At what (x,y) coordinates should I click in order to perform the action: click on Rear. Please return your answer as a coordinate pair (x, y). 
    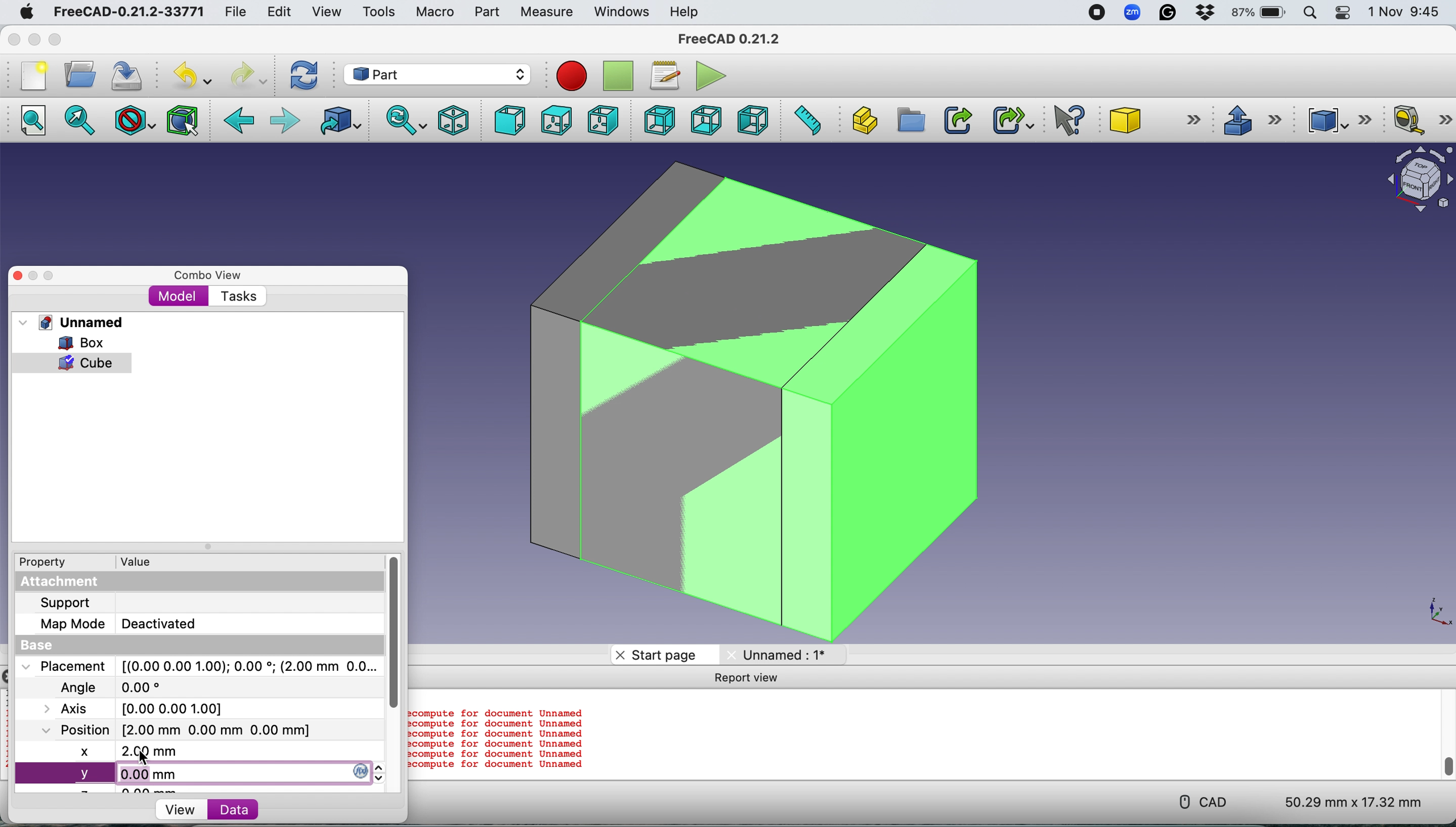
    Looking at the image, I should click on (656, 120).